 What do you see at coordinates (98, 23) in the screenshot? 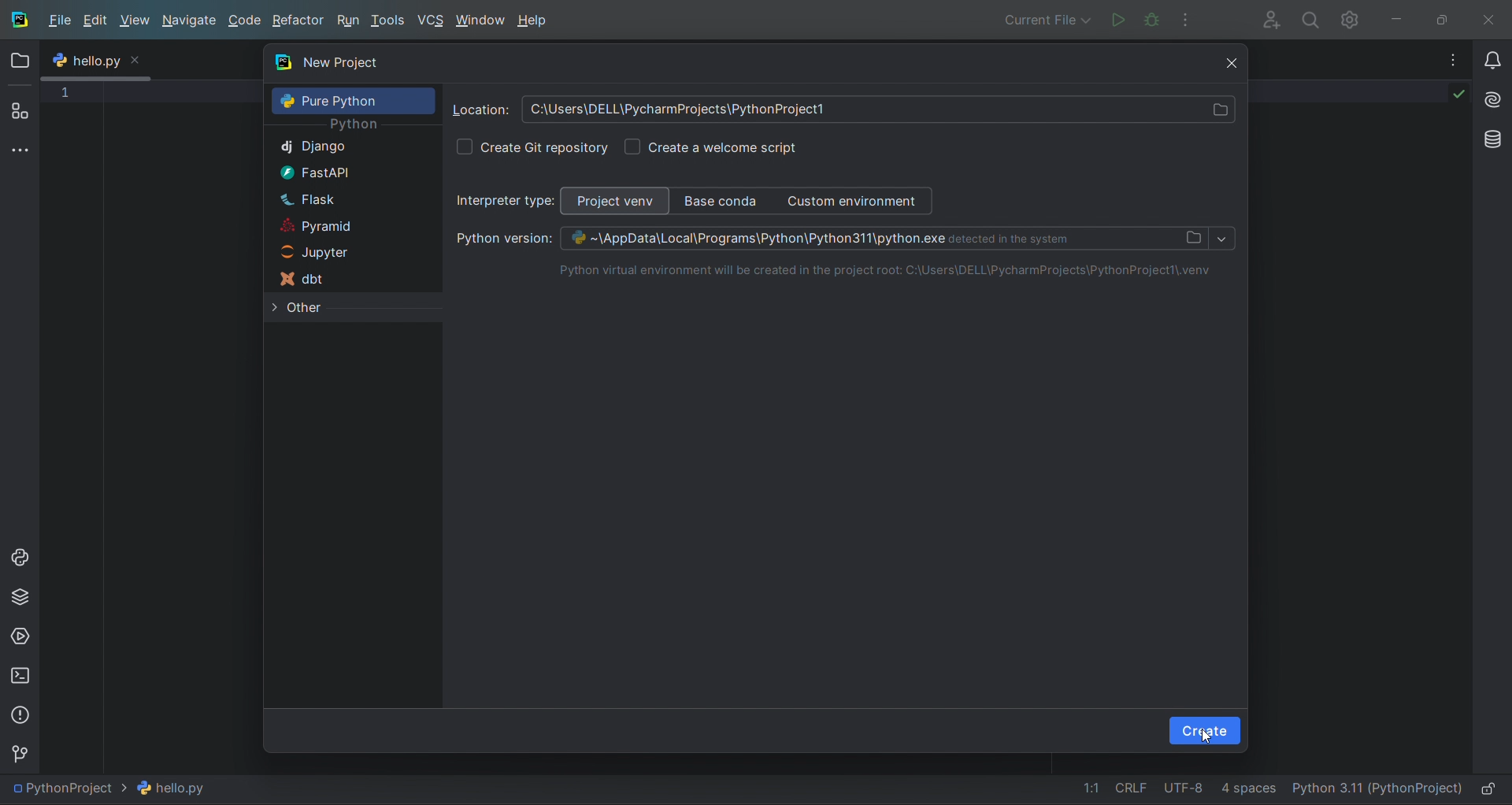
I see `edit` at bounding box center [98, 23].